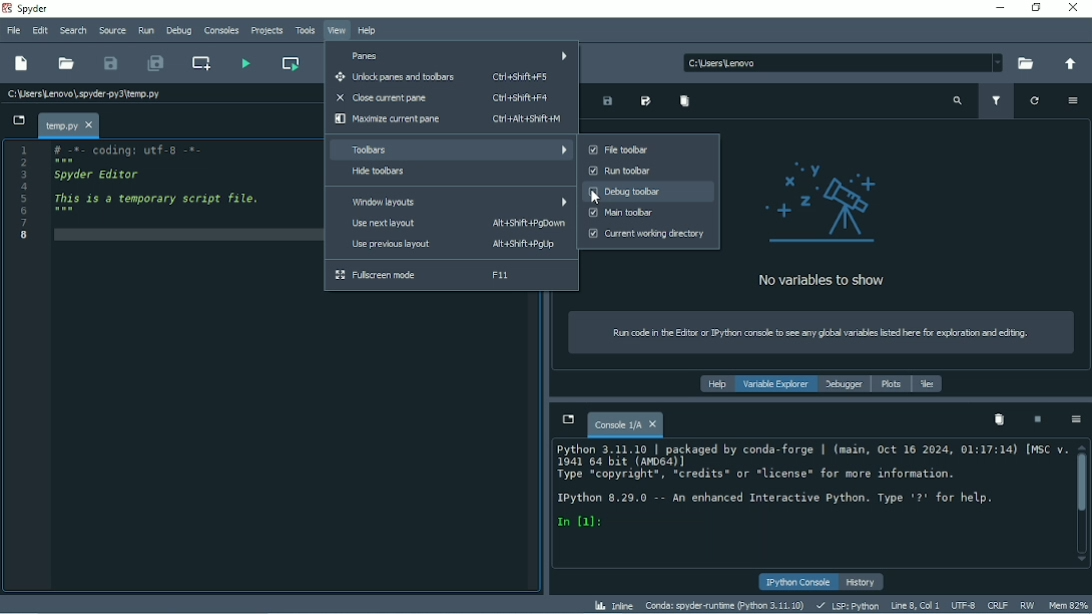 The image size is (1092, 614). What do you see at coordinates (1068, 606) in the screenshot?
I see `Mem` at bounding box center [1068, 606].